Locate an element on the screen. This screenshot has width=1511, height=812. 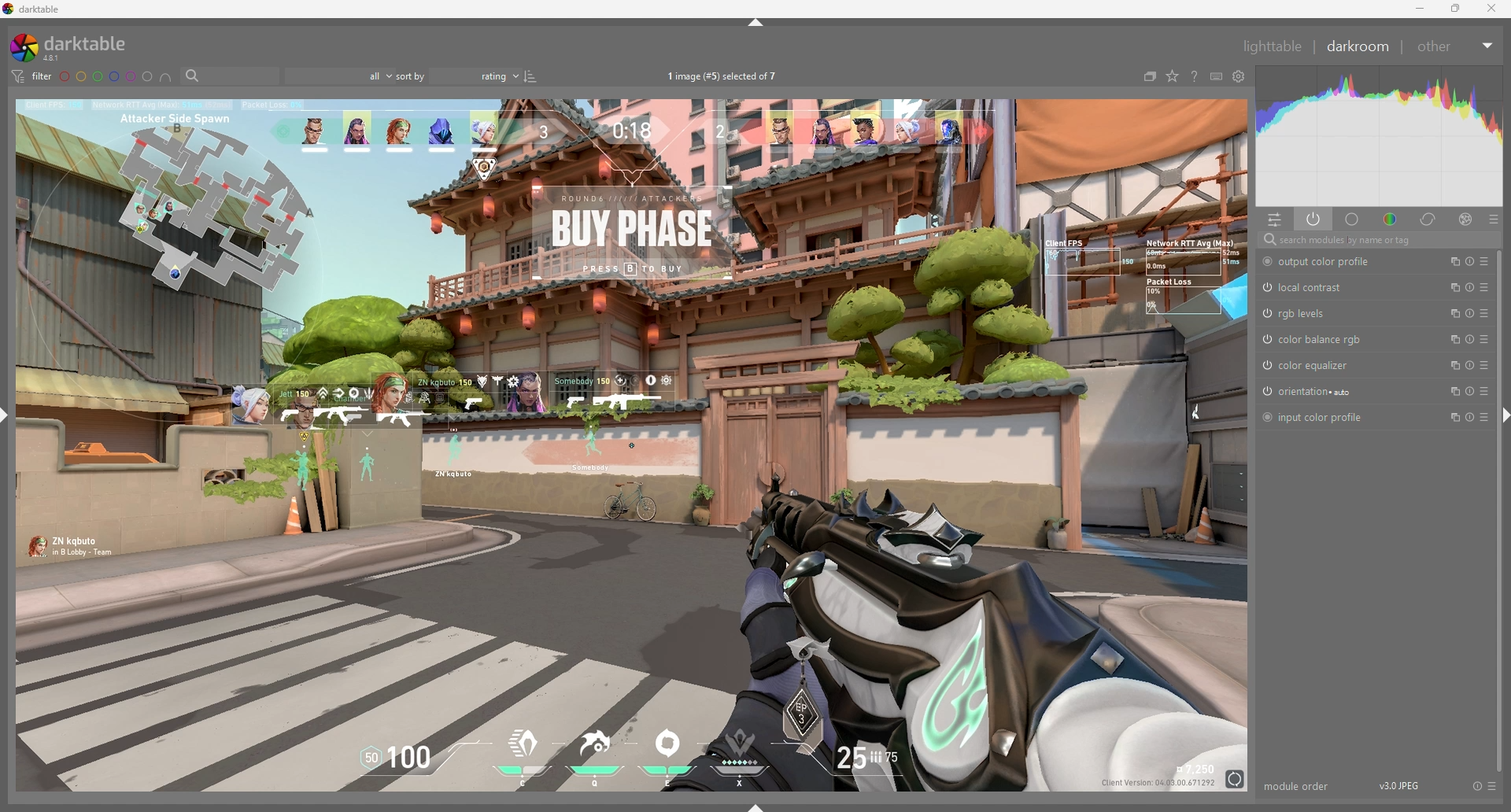
reset is located at coordinates (1470, 287).